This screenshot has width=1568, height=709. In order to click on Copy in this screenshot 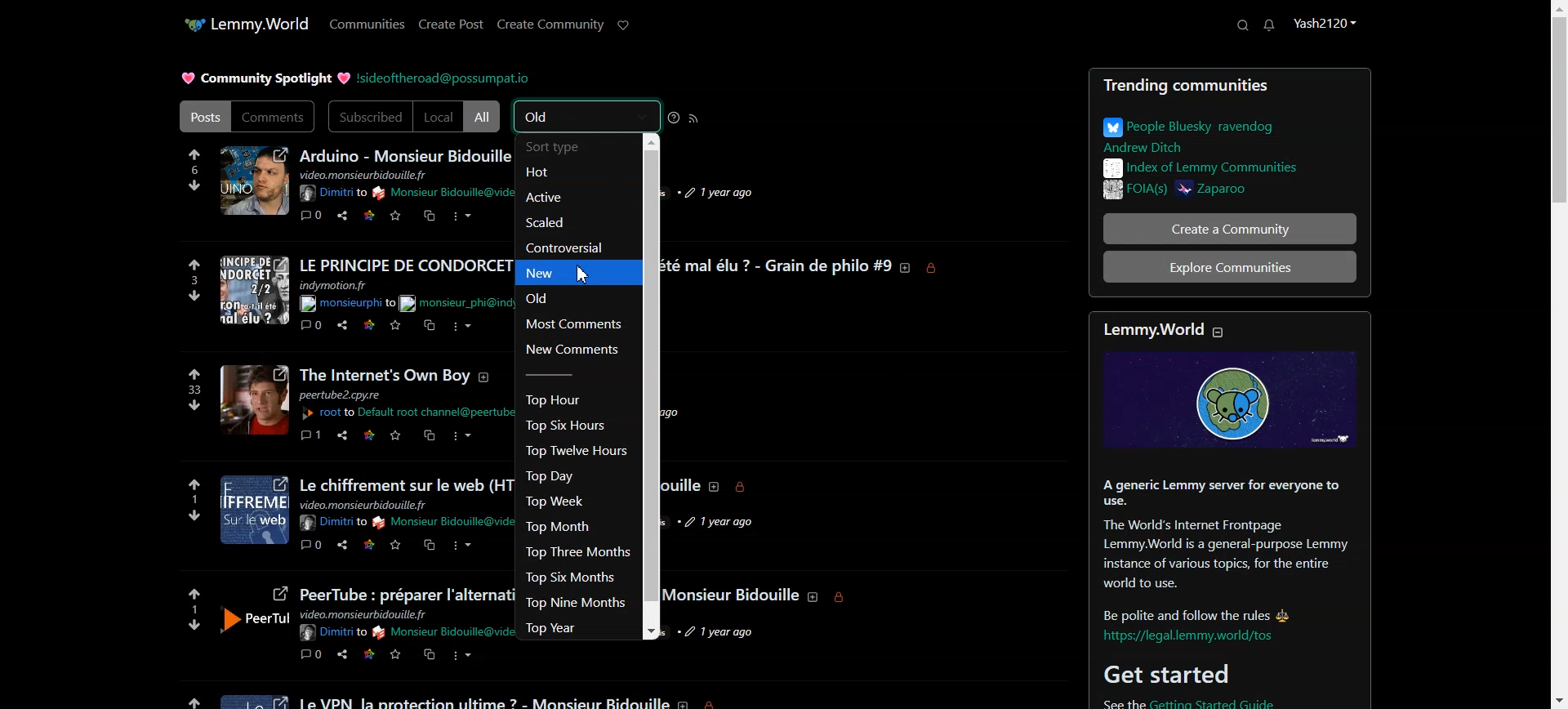, I will do `click(428, 216)`.